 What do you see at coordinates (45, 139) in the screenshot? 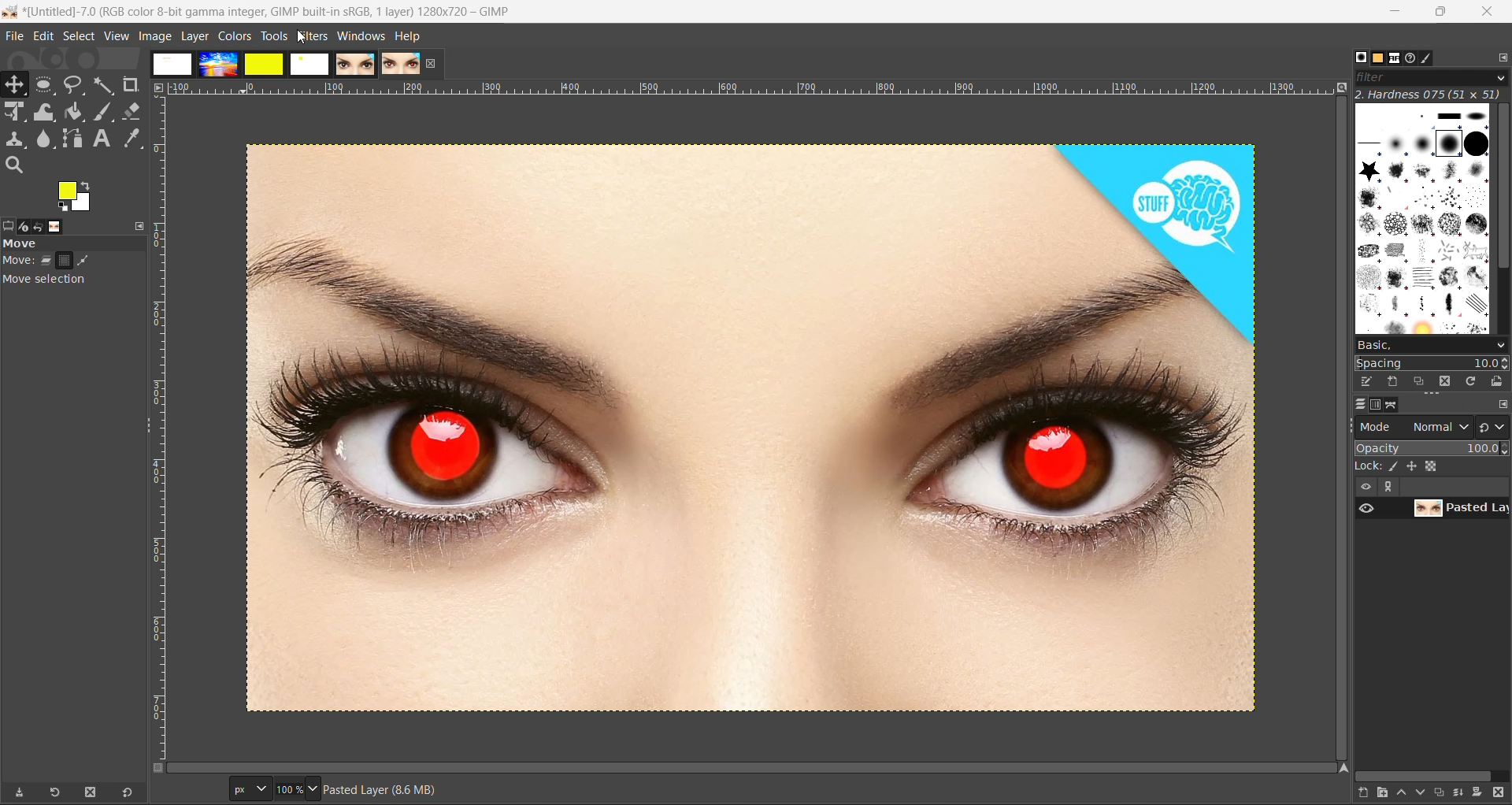
I see `smudge tool` at bounding box center [45, 139].